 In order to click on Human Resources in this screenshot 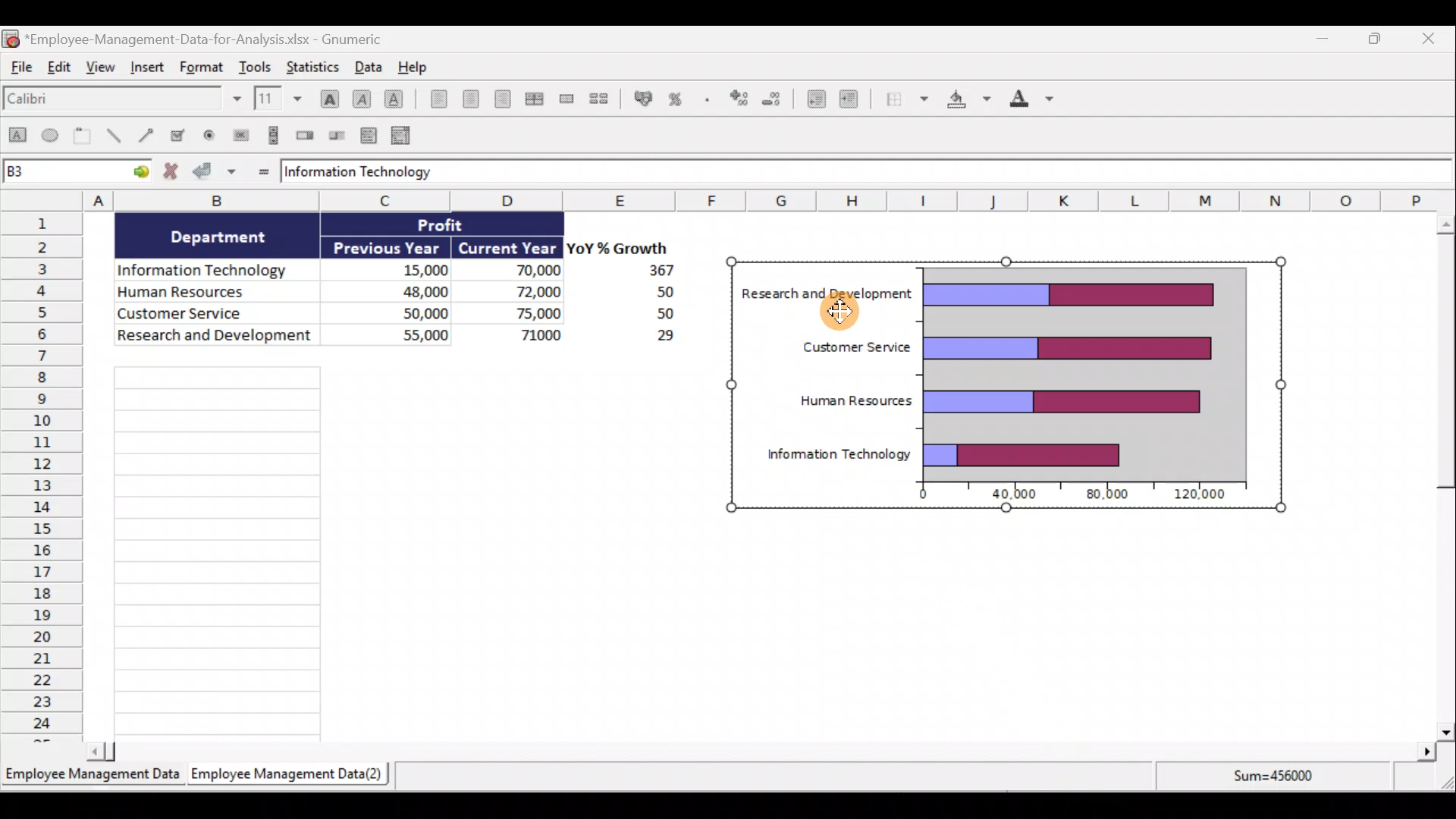, I will do `click(211, 293)`.